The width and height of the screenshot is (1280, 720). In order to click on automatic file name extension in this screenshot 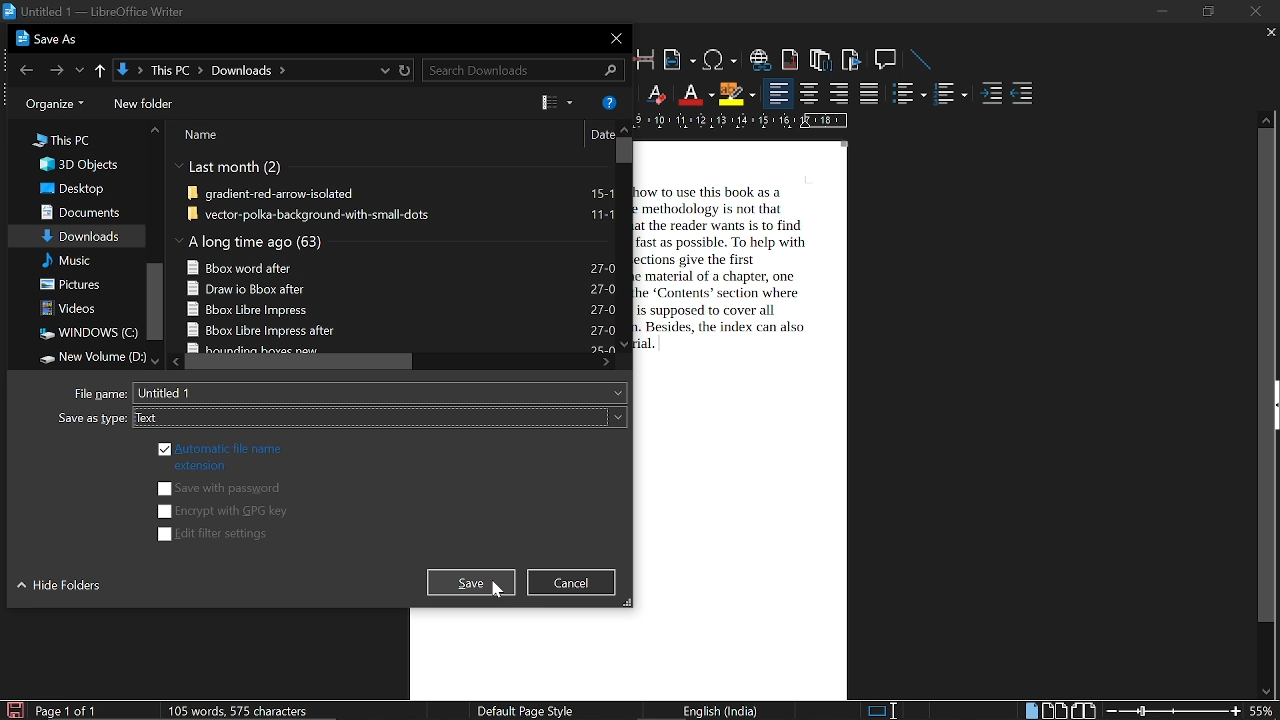, I will do `click(218, 455)`.